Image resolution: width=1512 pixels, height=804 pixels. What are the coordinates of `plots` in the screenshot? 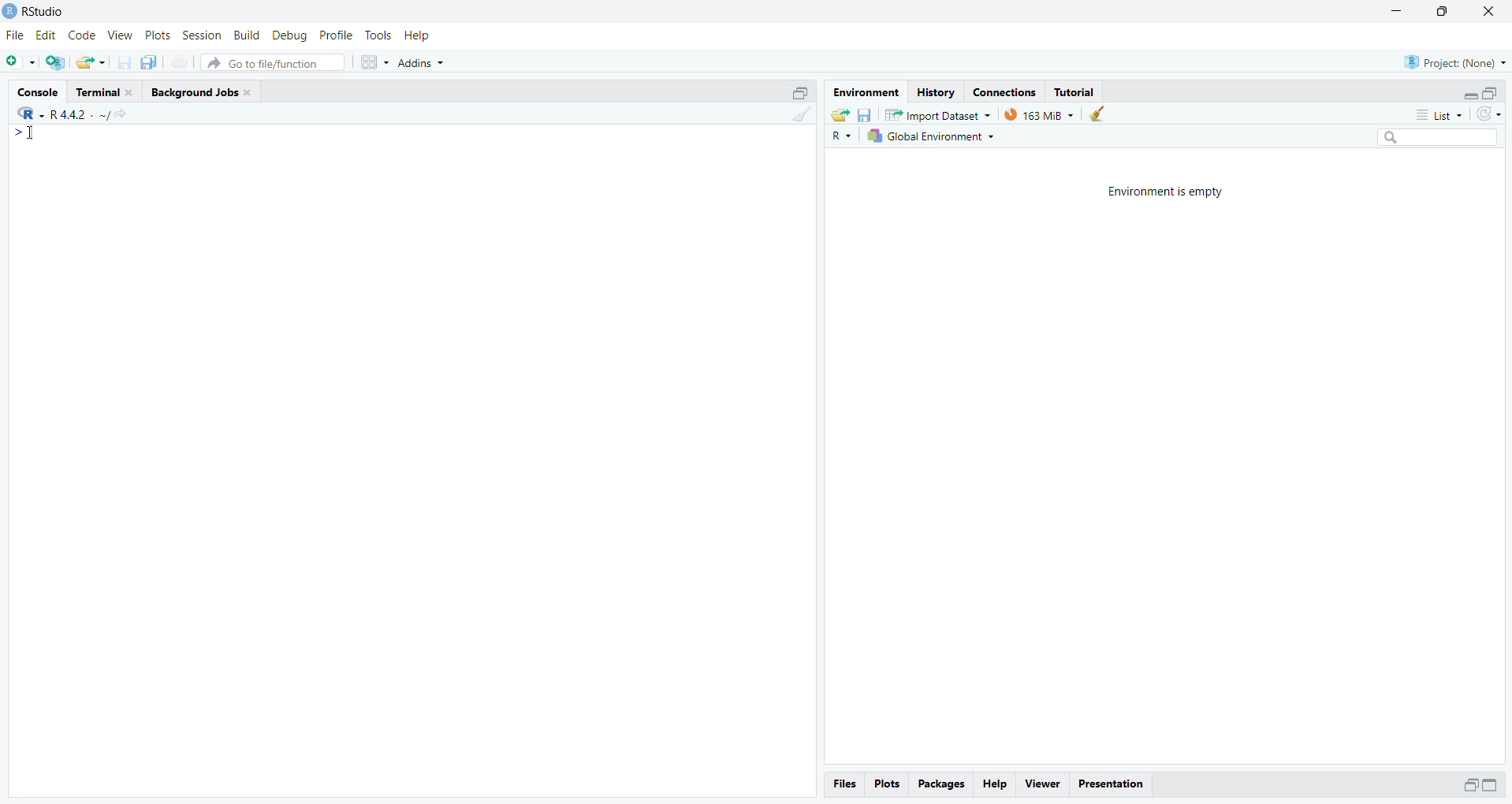 It's located at (159, 35).